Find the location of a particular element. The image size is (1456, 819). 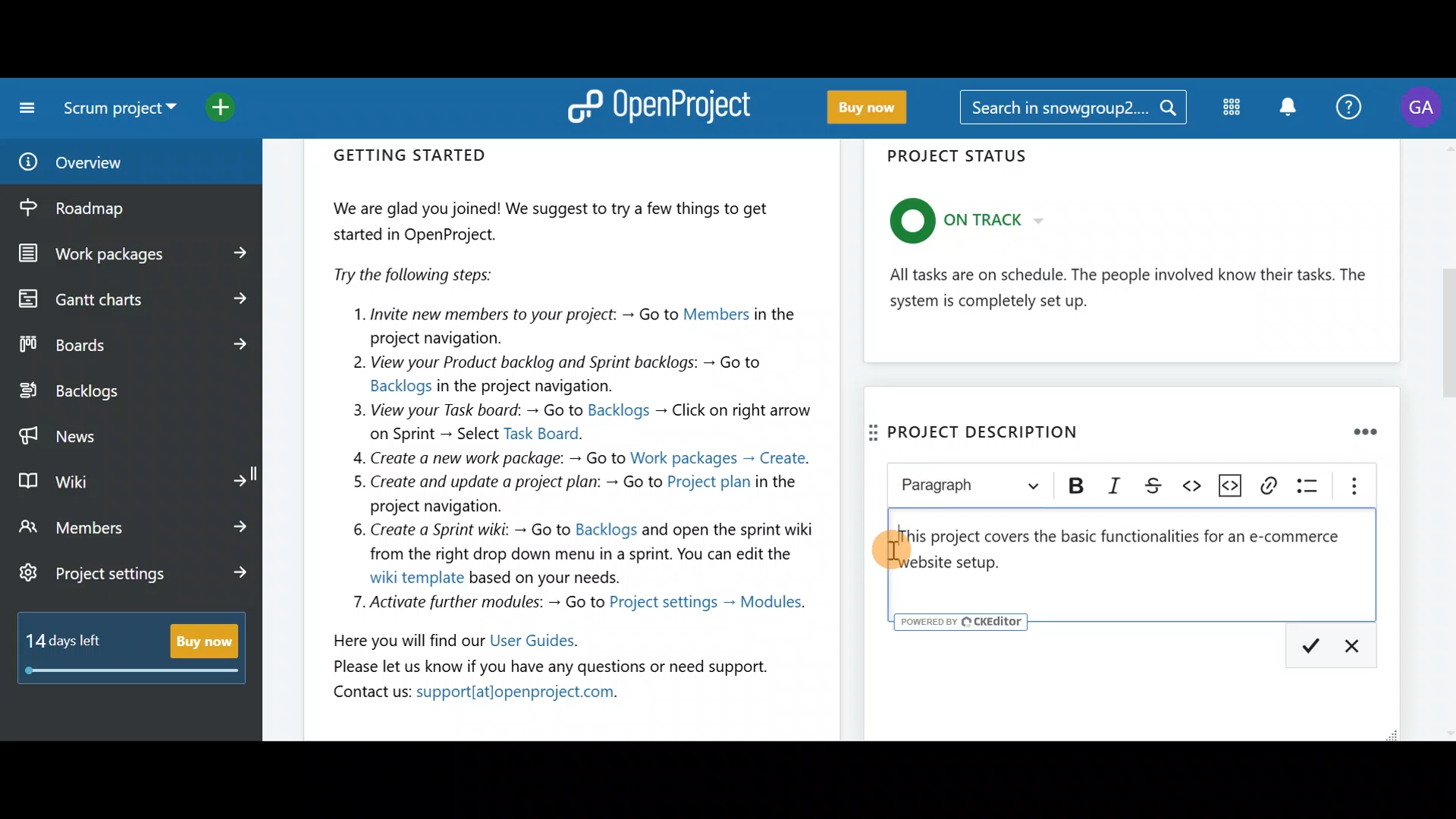

Bold is located at coordinates (1078, 487).